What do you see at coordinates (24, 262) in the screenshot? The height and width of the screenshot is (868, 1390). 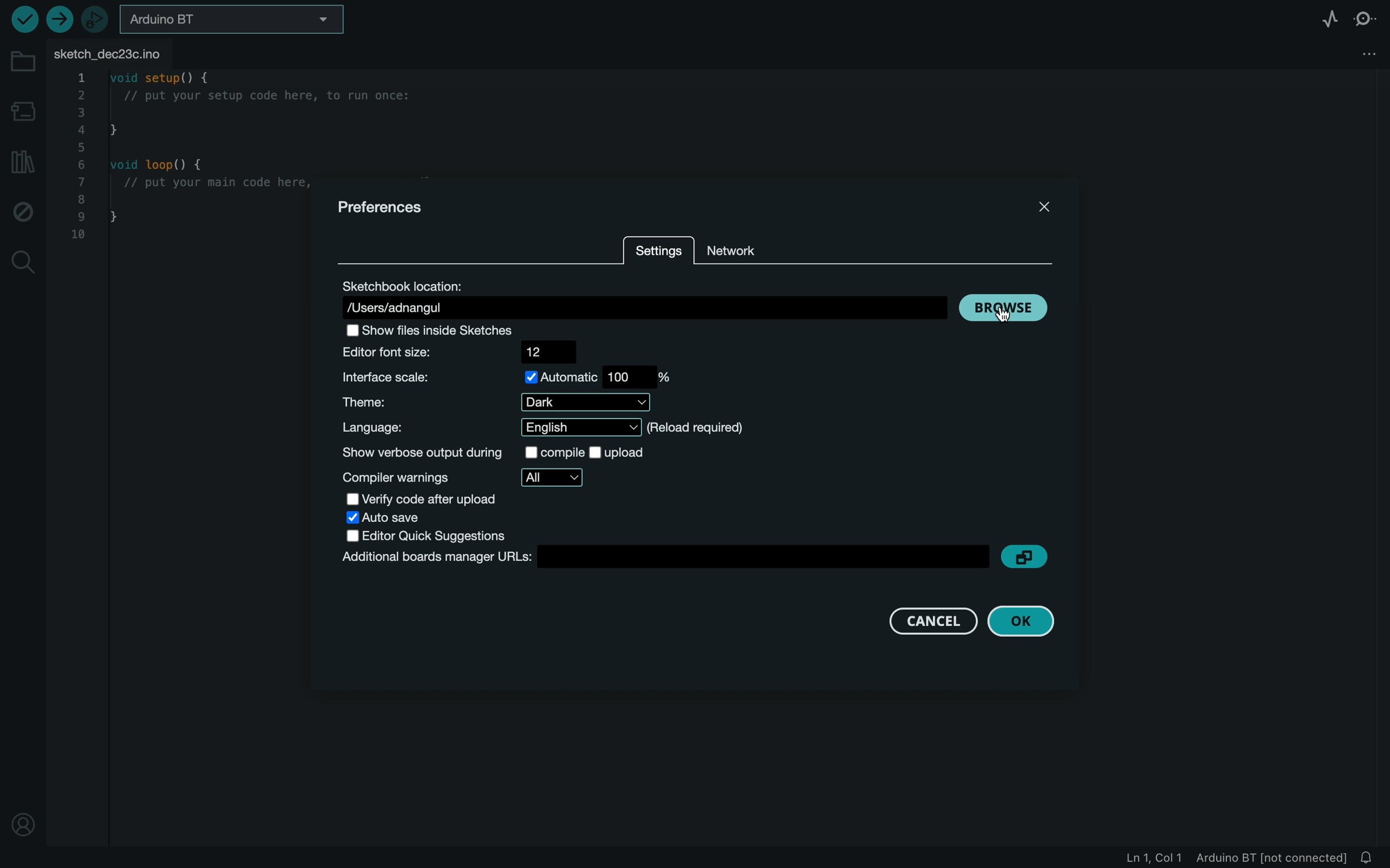 I see `search` at bounding box center [24, 262].